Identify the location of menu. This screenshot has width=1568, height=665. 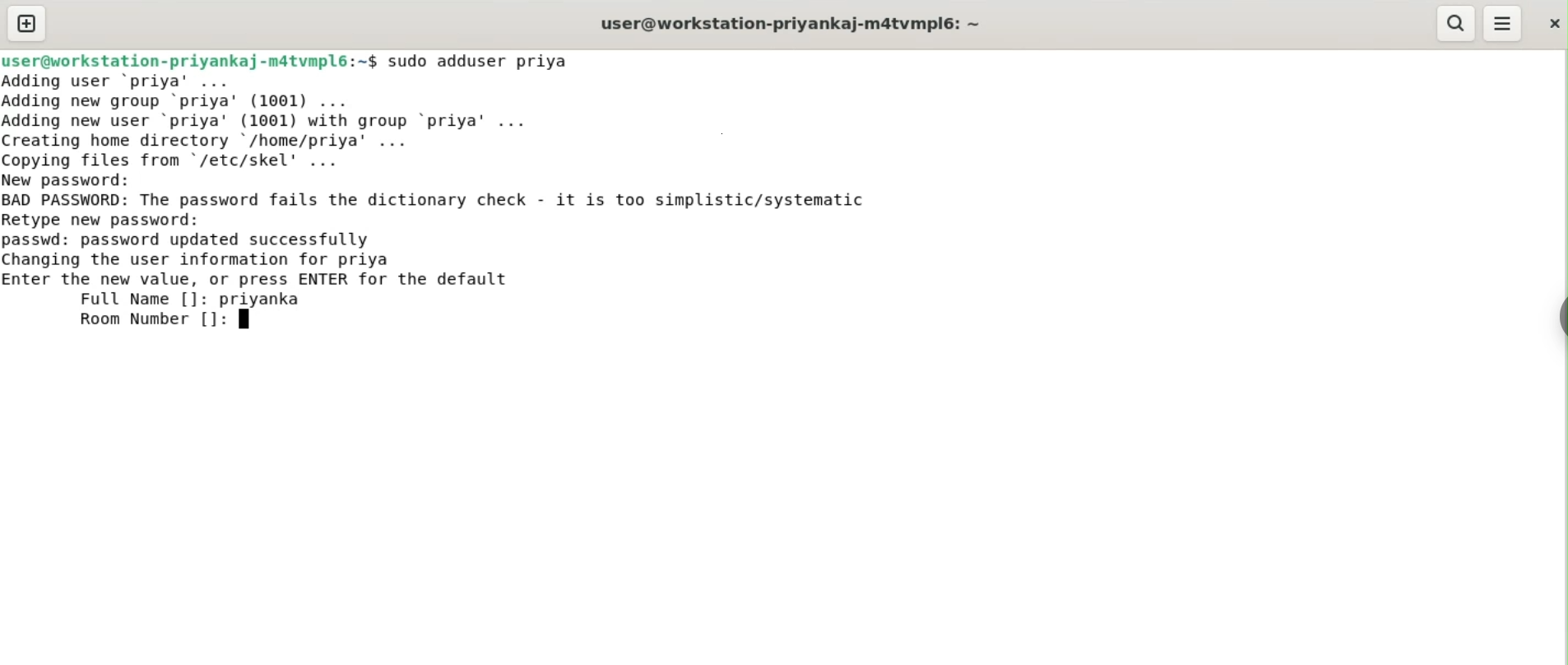
(1504, 24).